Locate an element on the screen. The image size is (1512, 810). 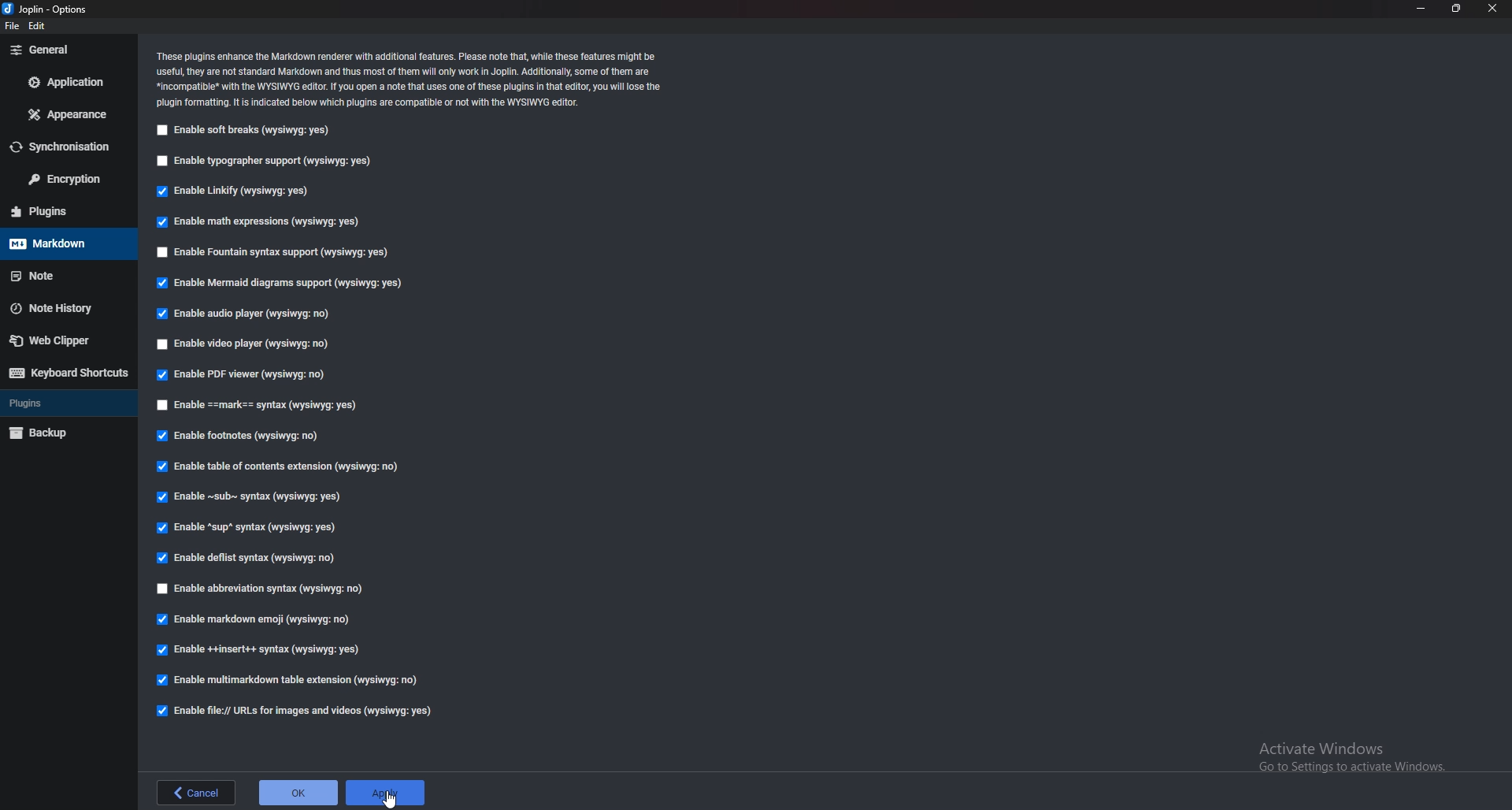
markdown Info is located at coordinates (410, 79).